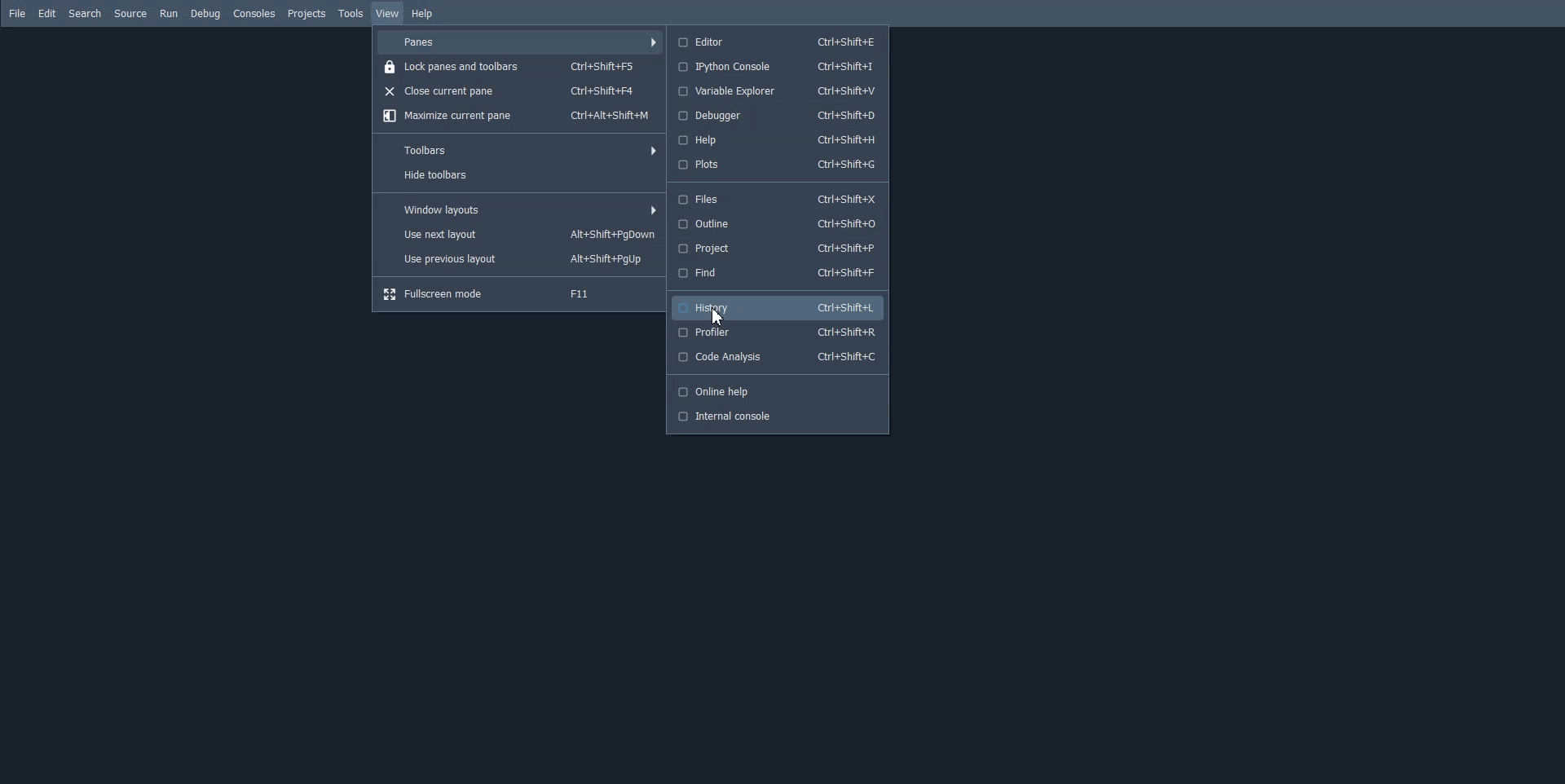 The height and width of the screenshot is (784, 1565). I want to click on Cursor on History, so click(721, 319).